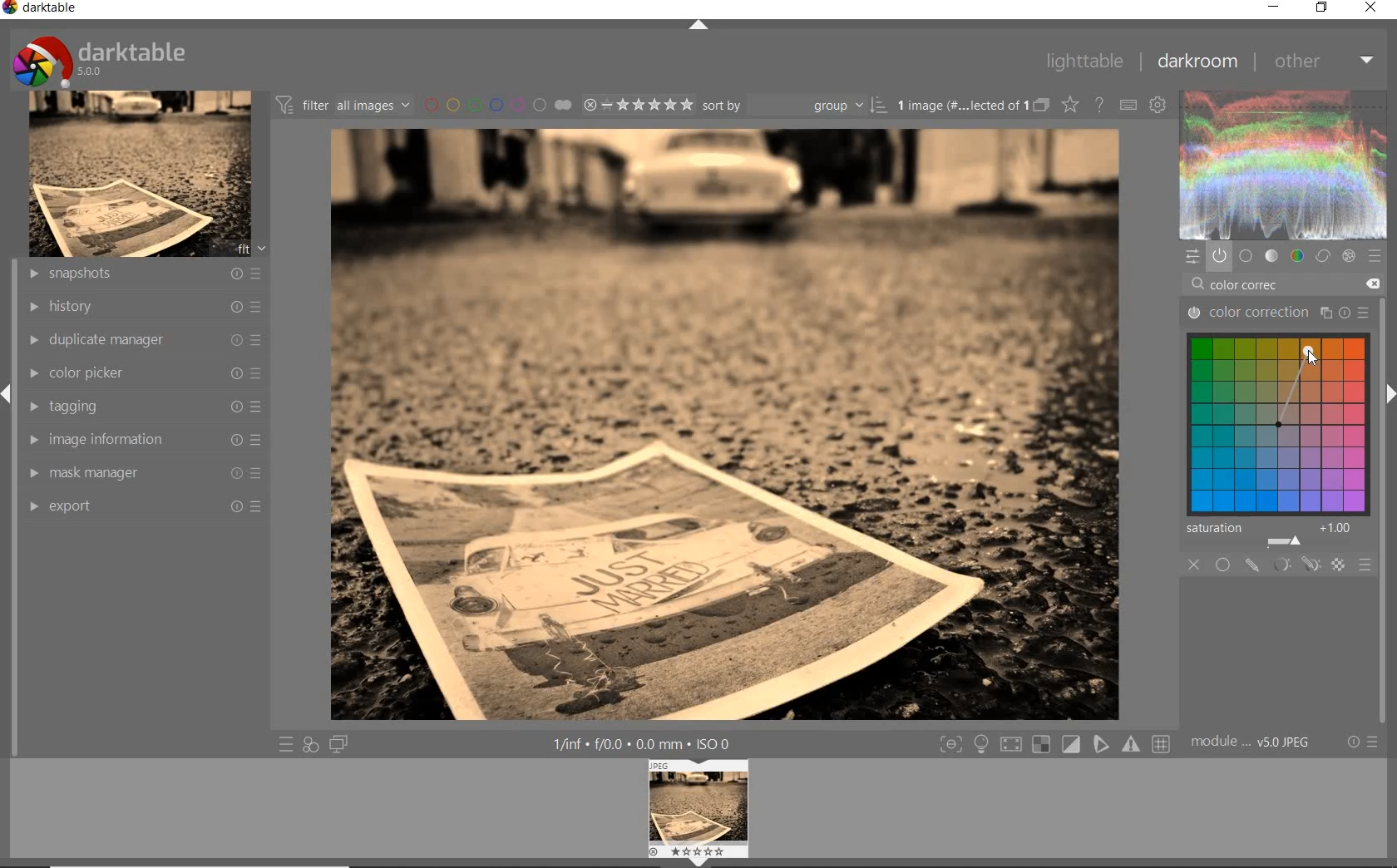 Image resolution: width=1397 pixels, height=868 pixels. What do you see at coordinates (1296, 257) in the screenshot?
I see `color` at bounding box center [1296, 257].